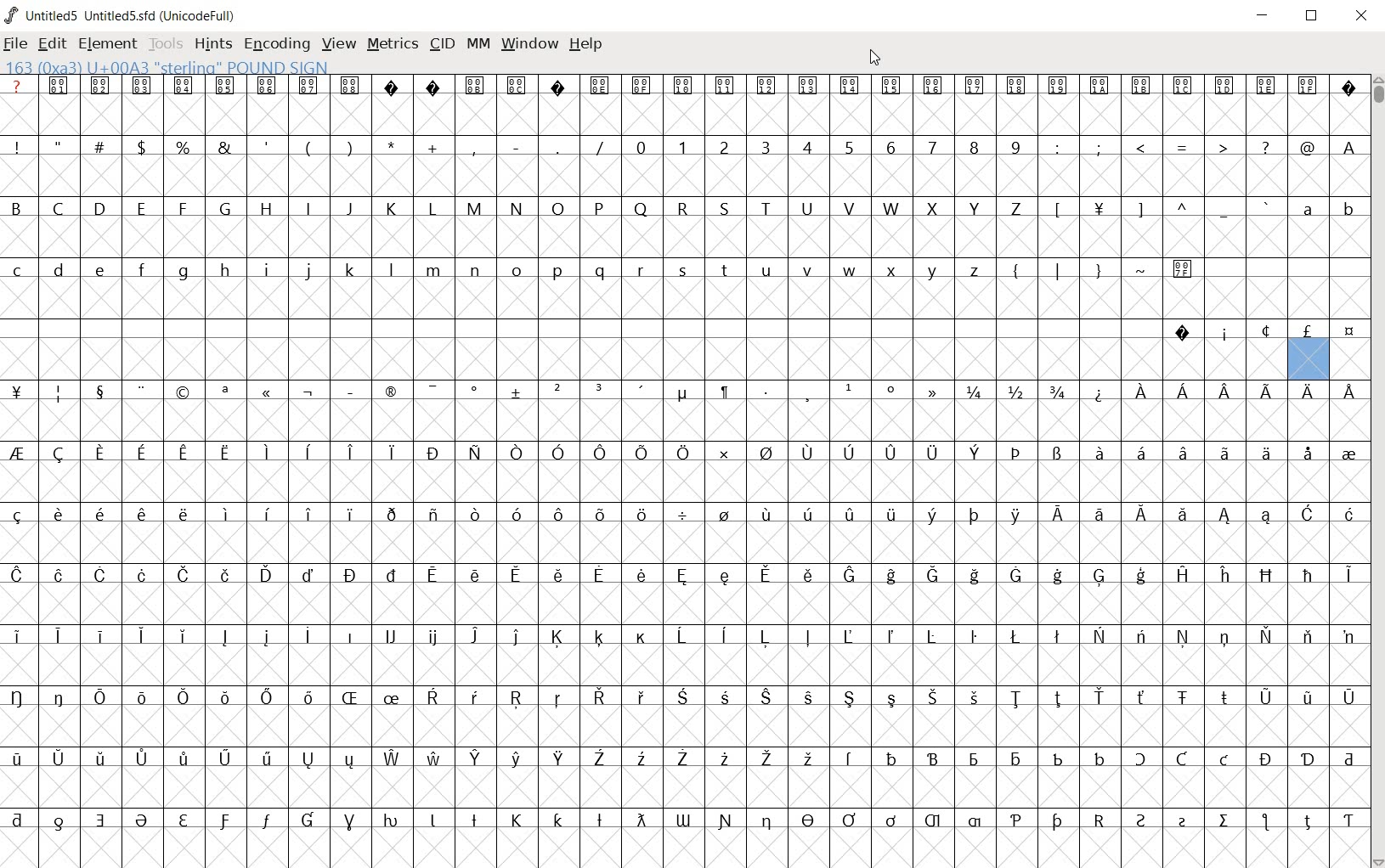 Image resolution: width=1385 pixels, height=868 pixels. Describe the element at coordinates (848, 391) in the screenshot. I see `Symbol` at that location.